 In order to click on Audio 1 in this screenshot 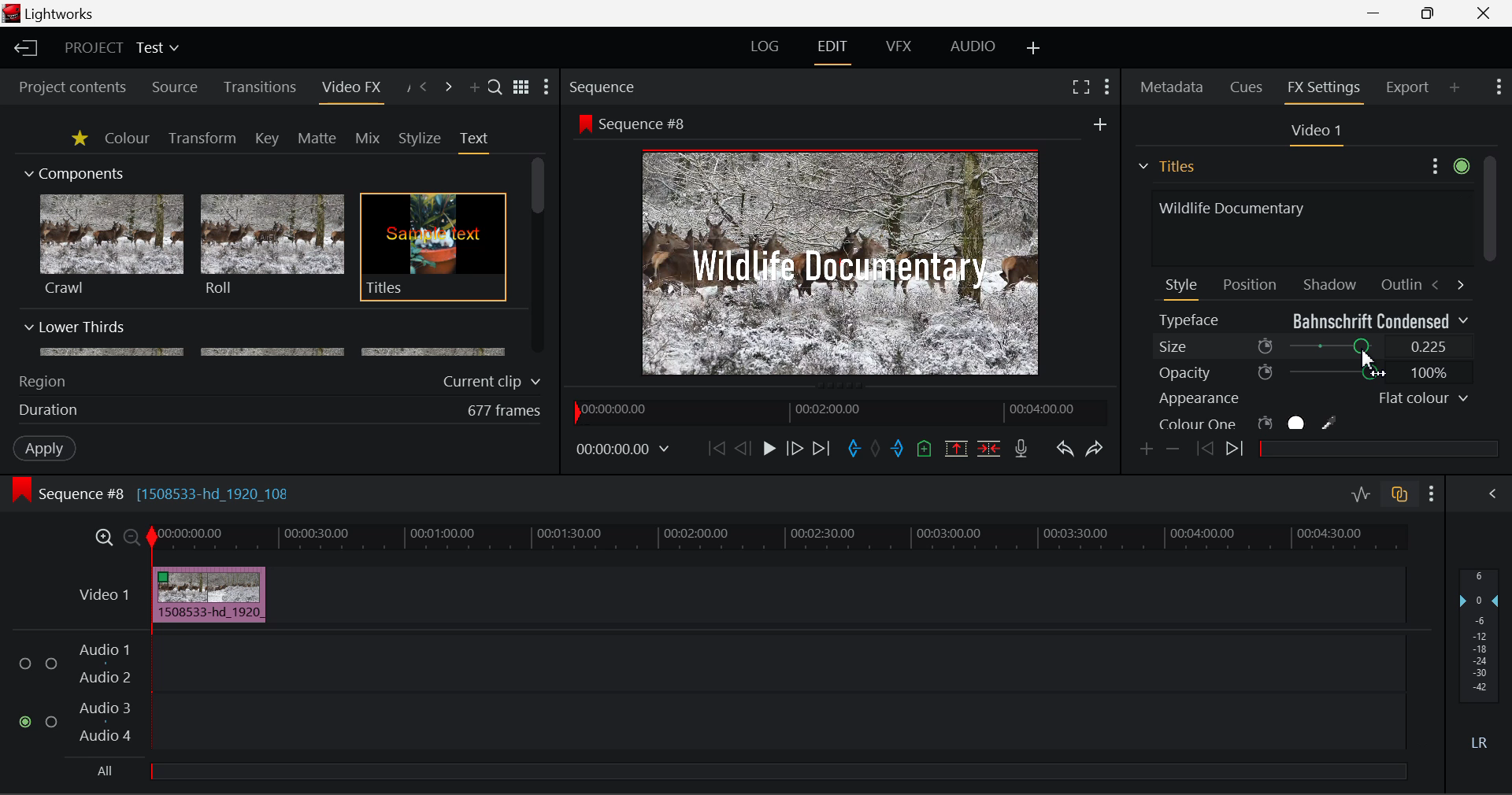, I will do `click(102, 652)`.